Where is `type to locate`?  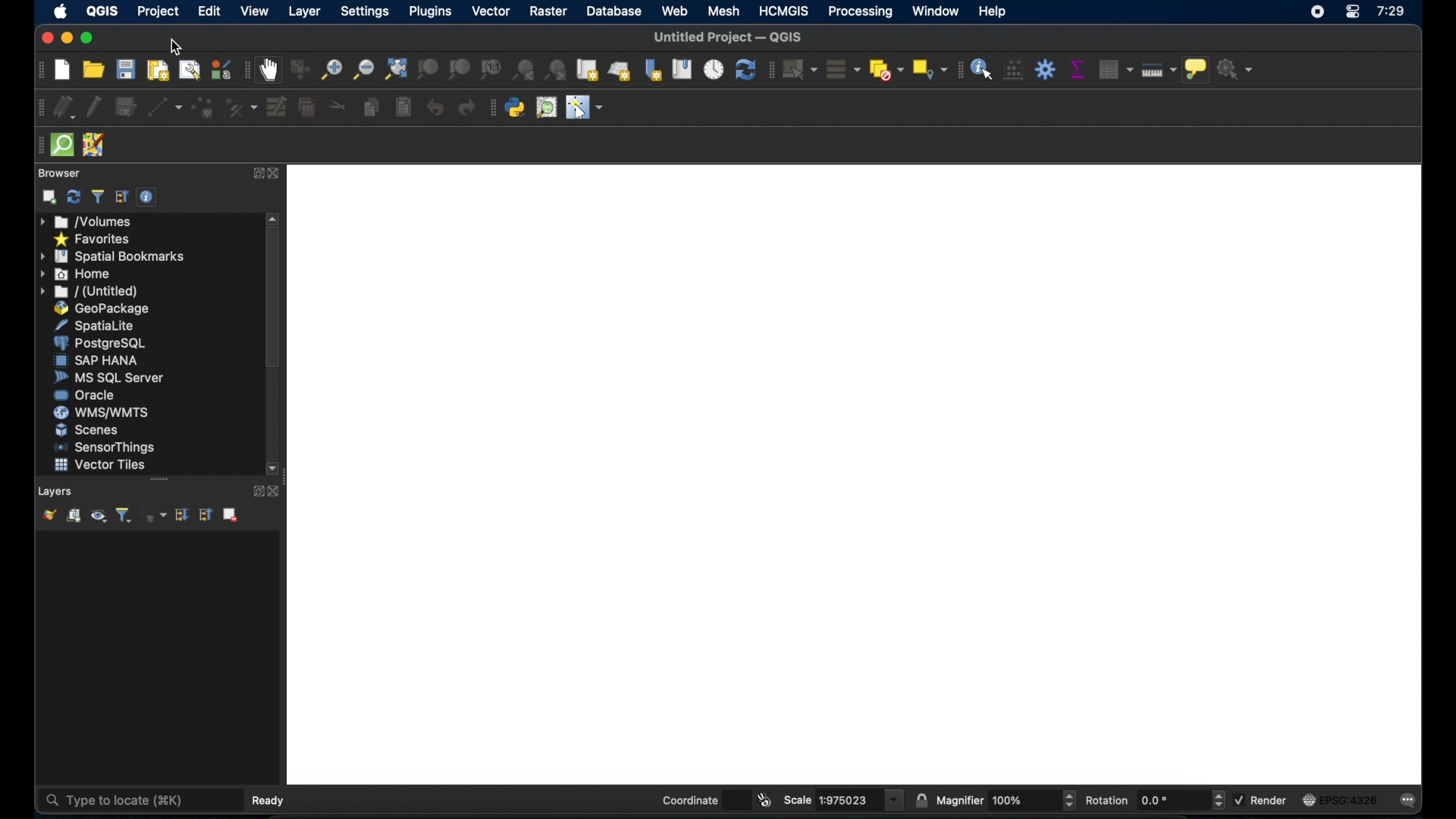 type to locate is located at coordinates (140, 800).